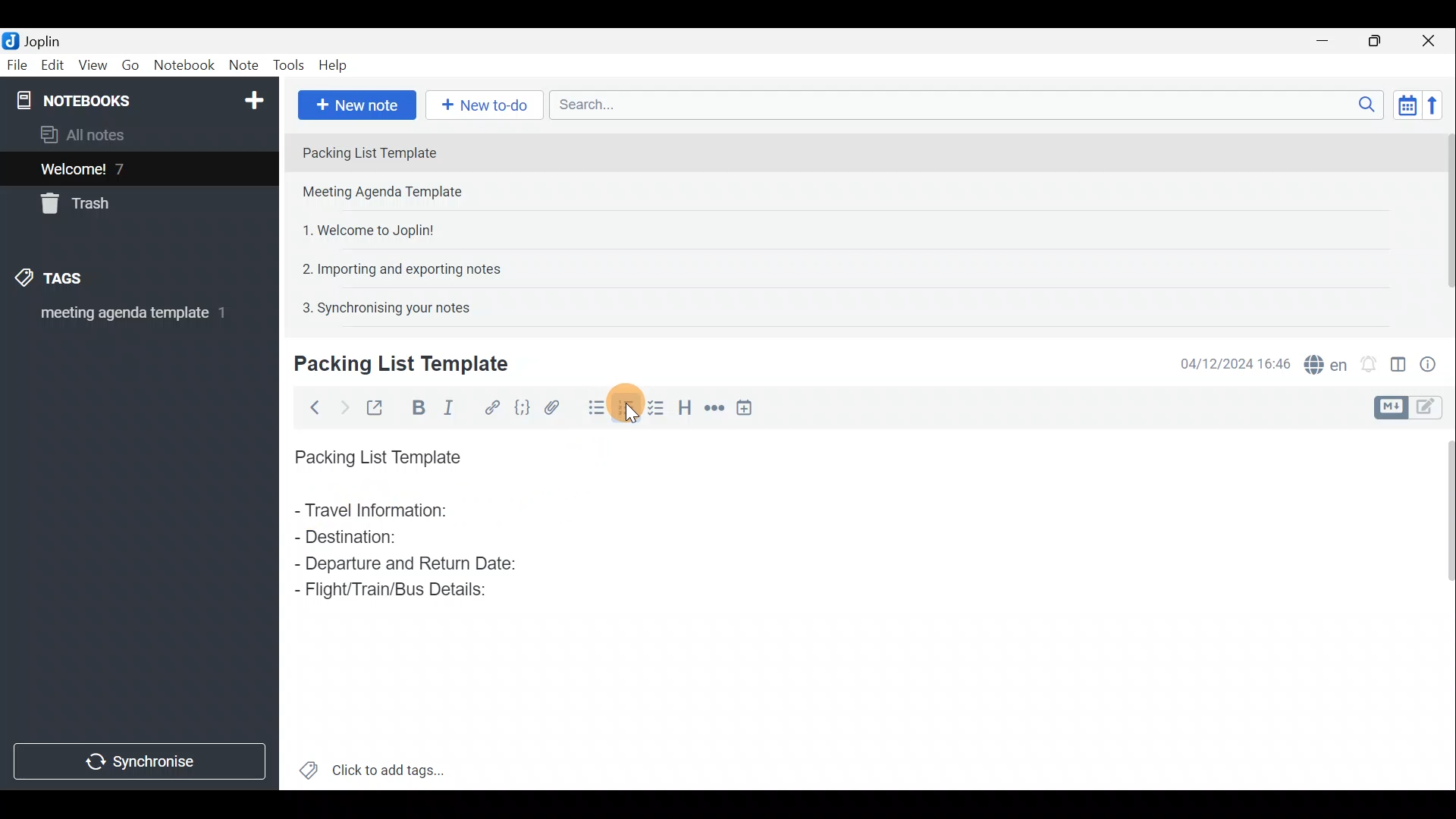  Describe the element at coordinates (1433, 409) in the screenshot. I see `Toggle editors` at that location.